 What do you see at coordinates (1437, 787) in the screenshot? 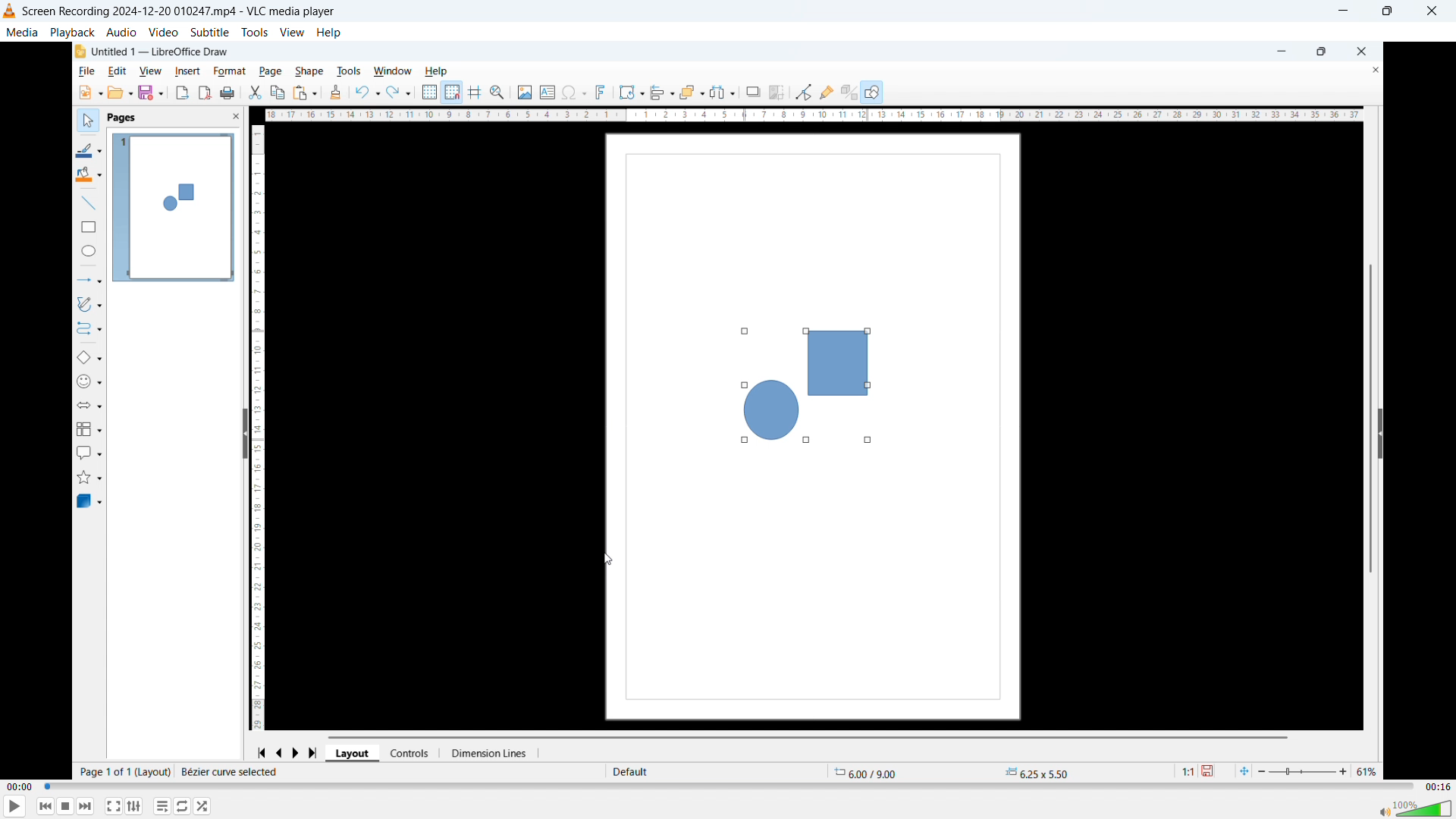
I see `Video duration ` at bounding box center [1437, 787].